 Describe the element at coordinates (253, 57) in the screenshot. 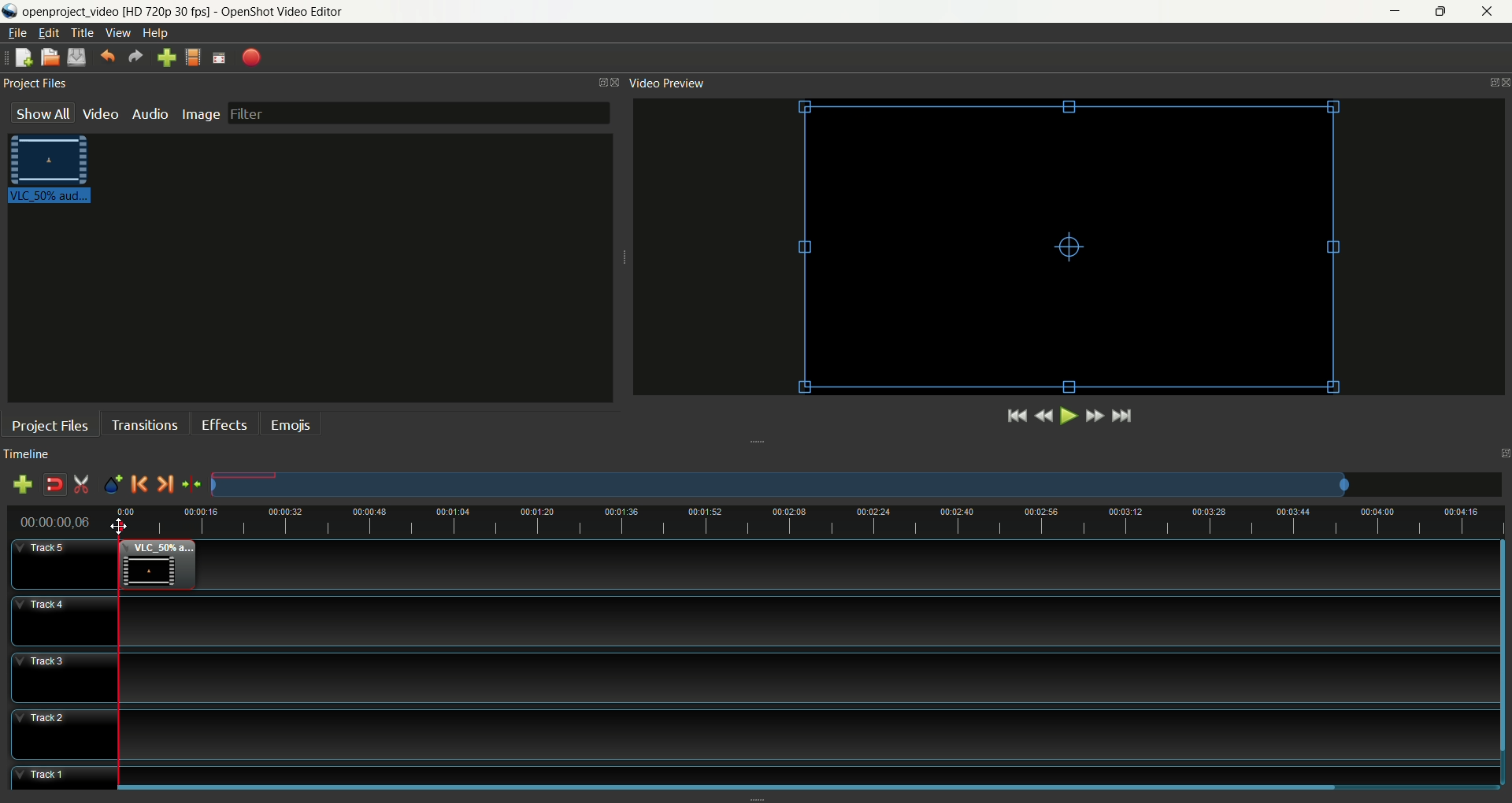

I see `export video` at that location.